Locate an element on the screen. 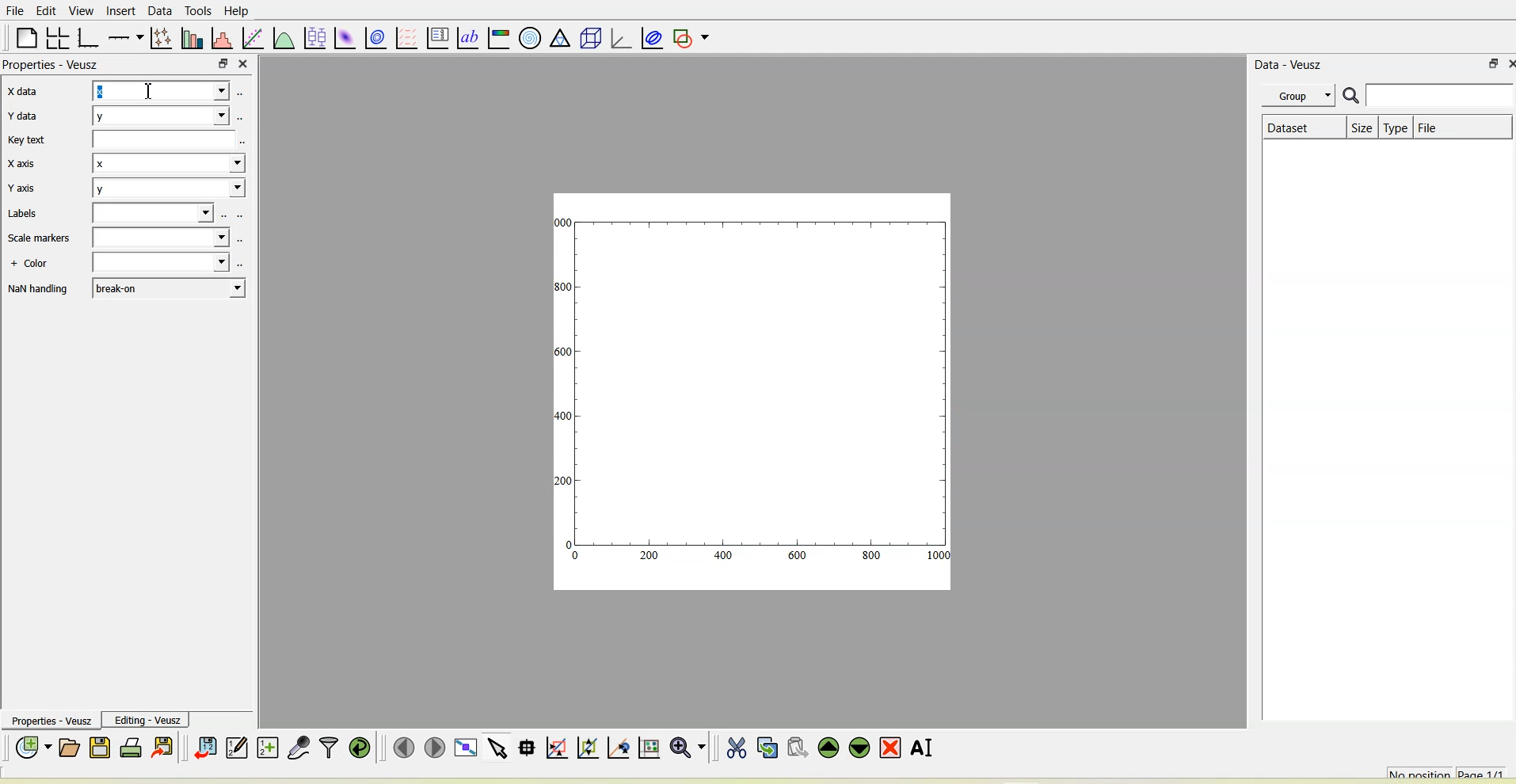  Properties - Veusz is located at coordinates (48, 720).